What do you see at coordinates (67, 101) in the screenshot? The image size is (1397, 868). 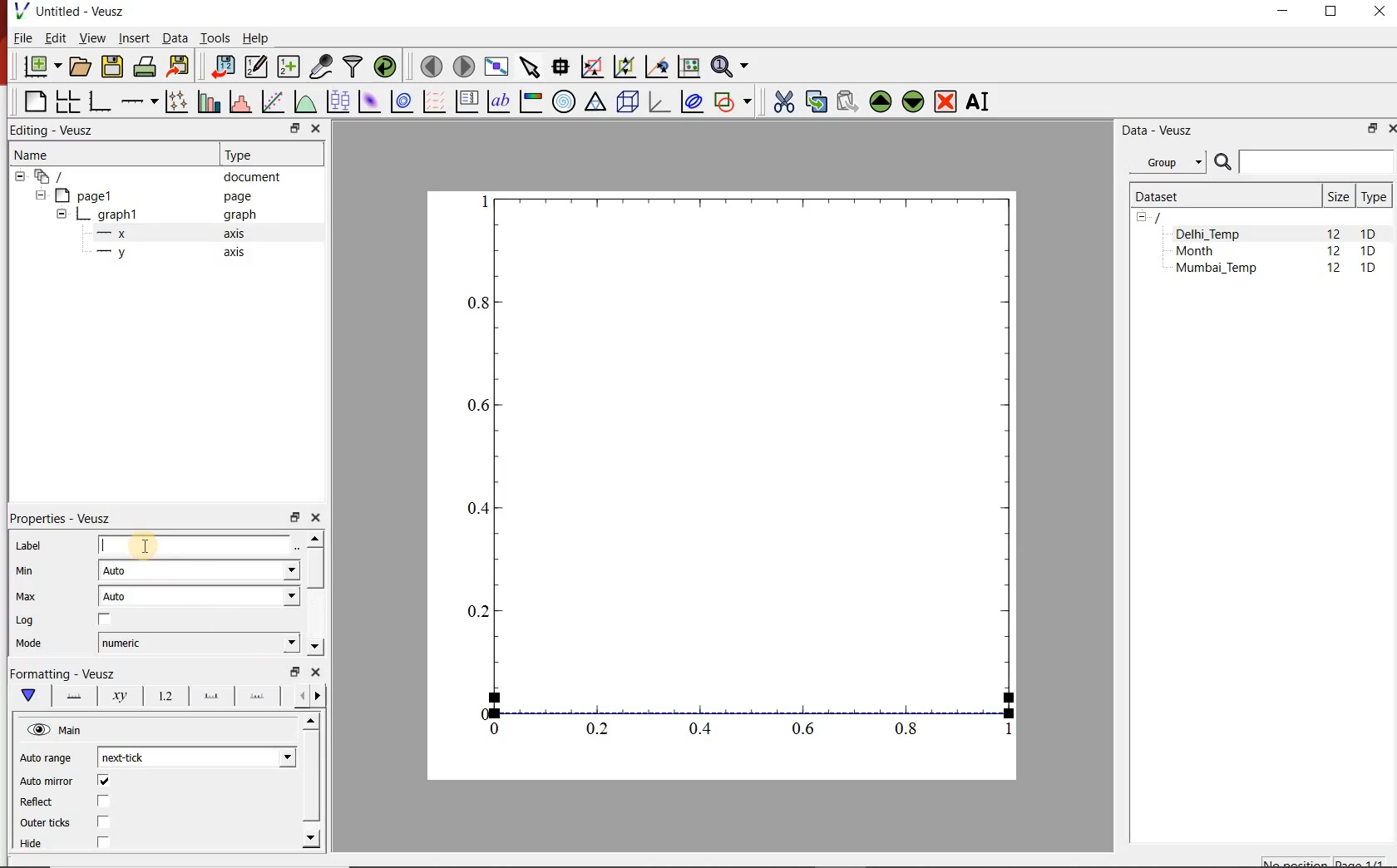 I see `arrange graphs in a grid` at bounding box center [67, 101].